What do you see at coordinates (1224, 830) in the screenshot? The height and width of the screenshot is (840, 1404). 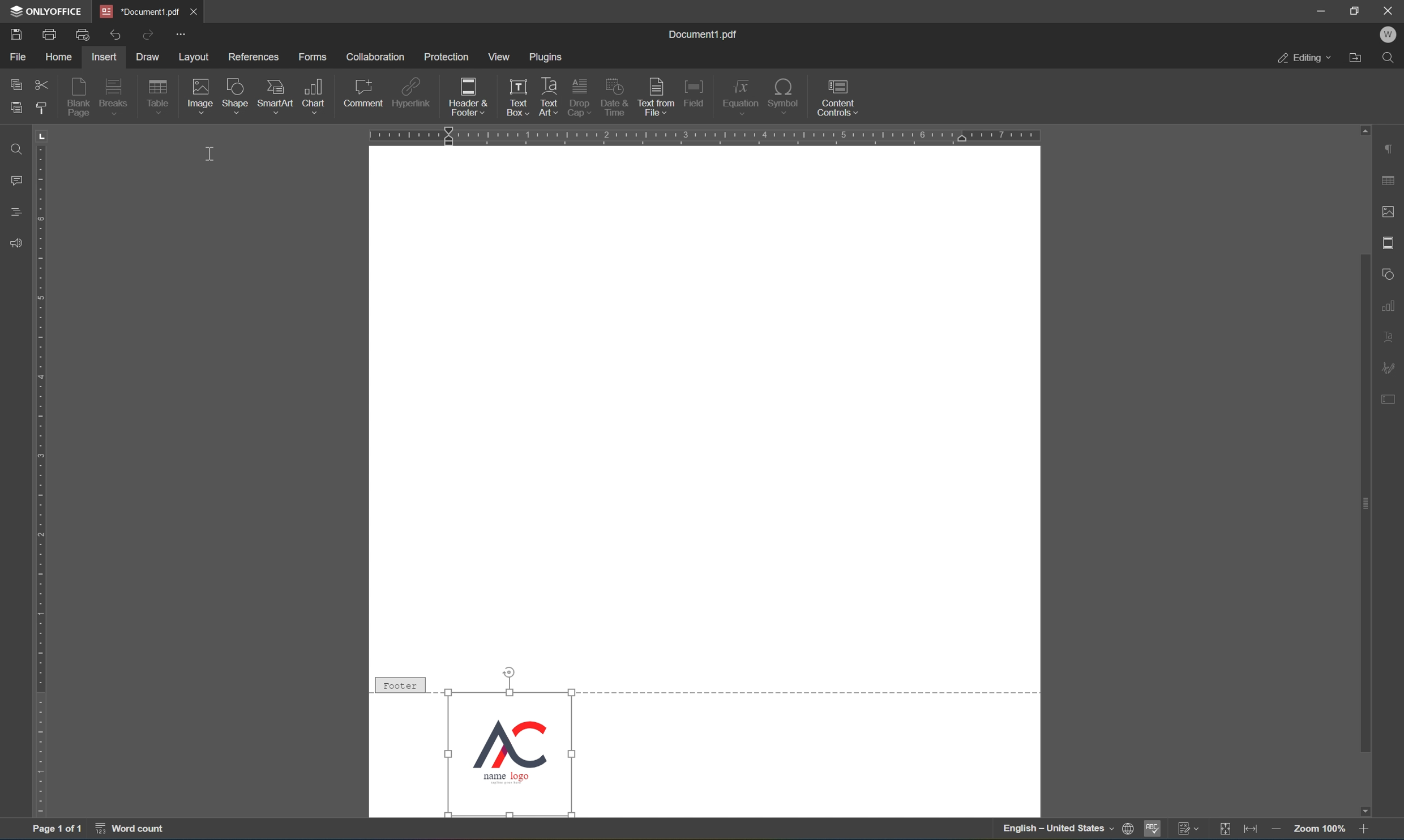 I see `fit to slide` at bounding box center [1224, 830].